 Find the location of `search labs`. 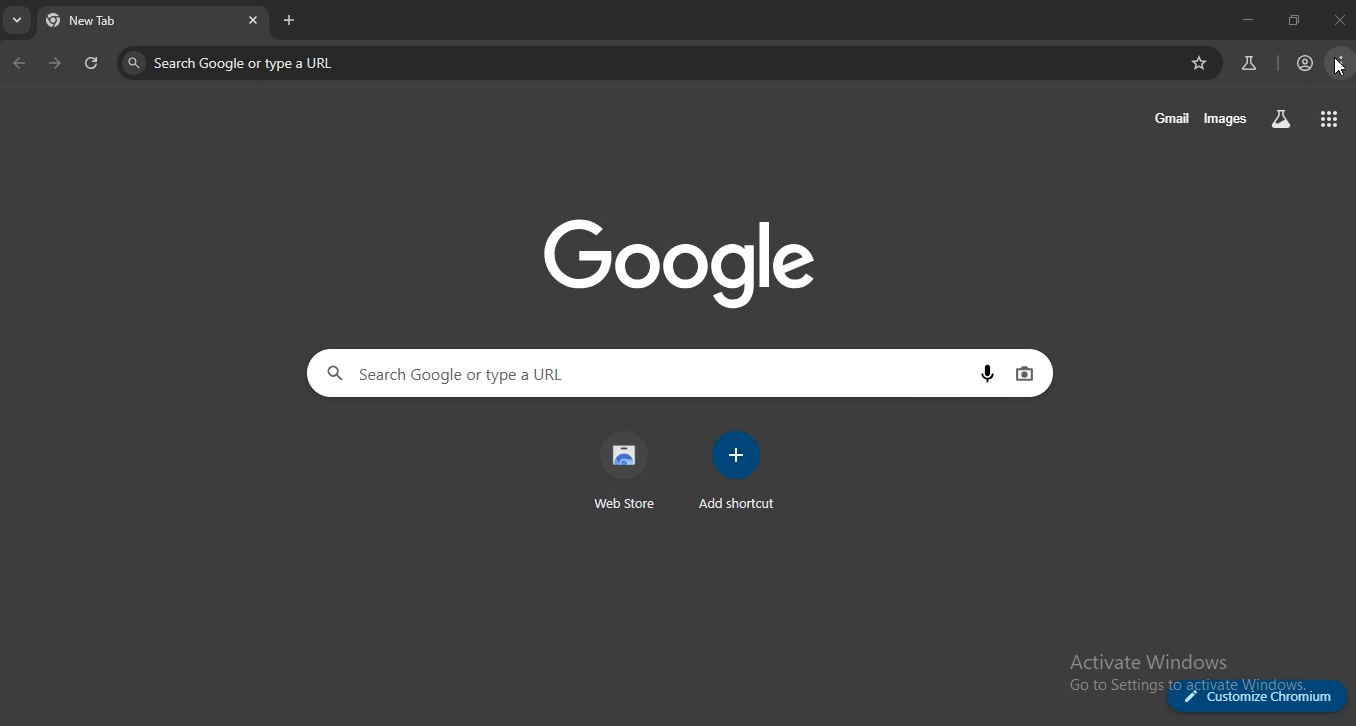

search labs is located at coordinates (1281, 118).